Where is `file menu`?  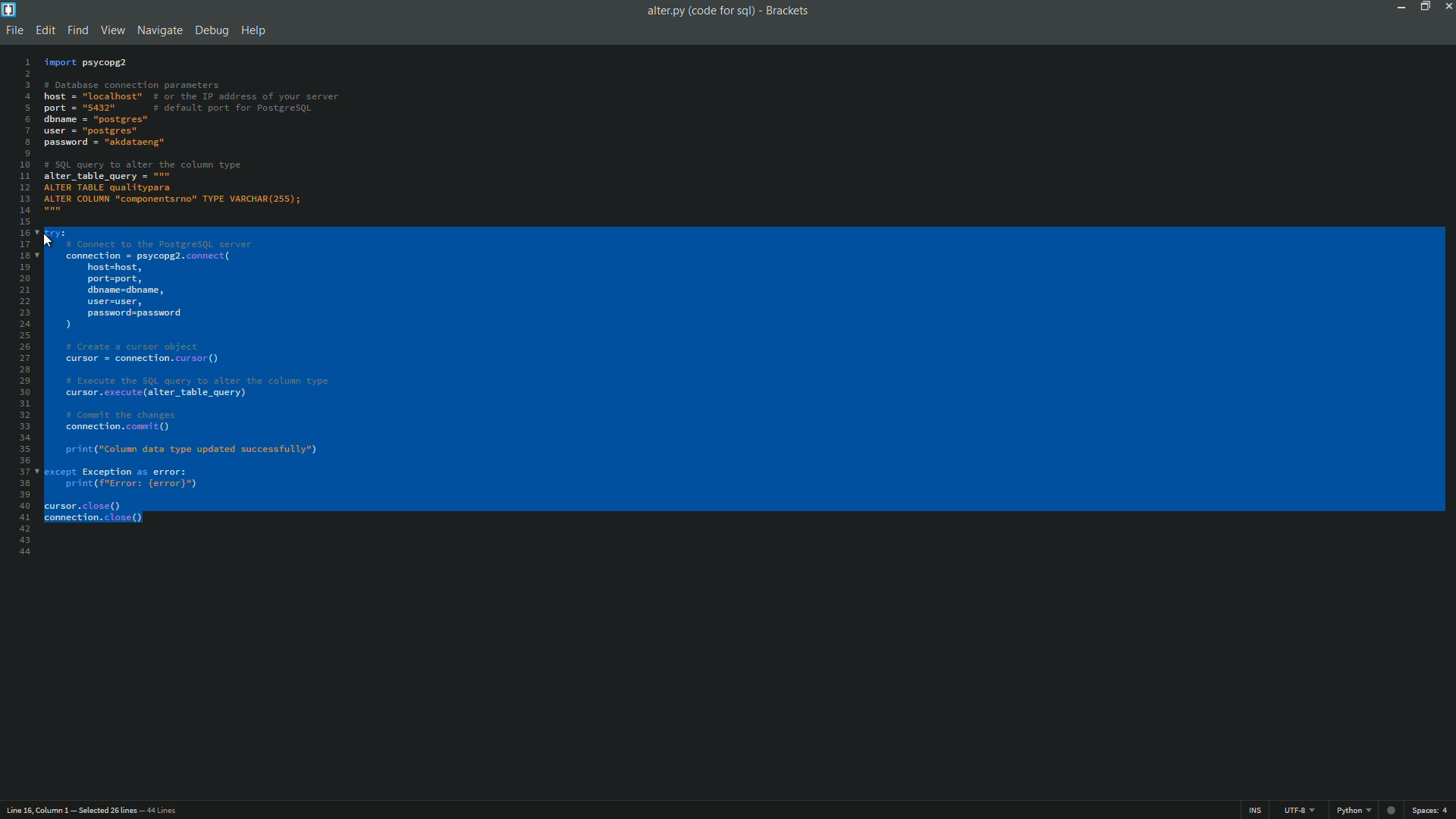 file menu is located at coordinates (13, 30).